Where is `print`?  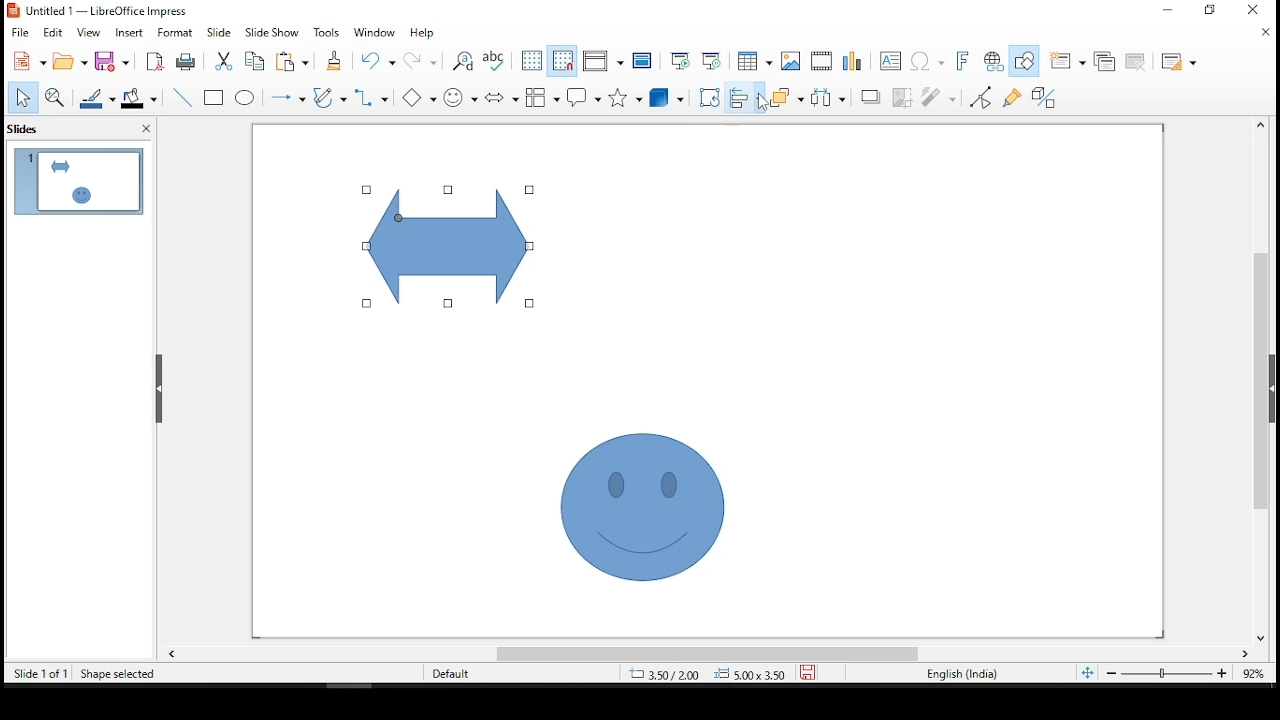
print is located at coordinates (184, 63).